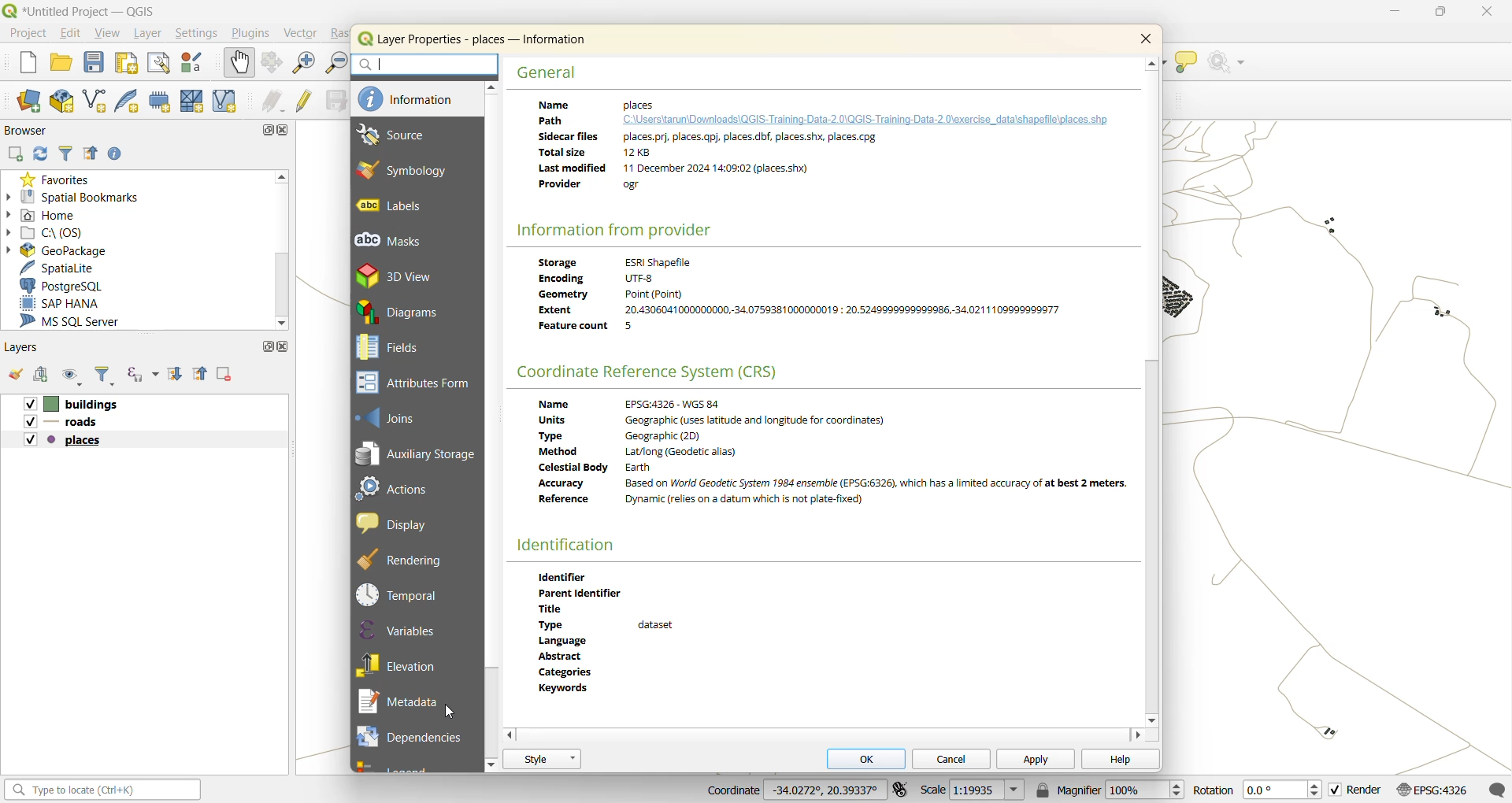 The height and width of the screenshot is (803, 1512). Describe the element at coordinates (254, 35) in the screenshot. I see `plugins` at that location.